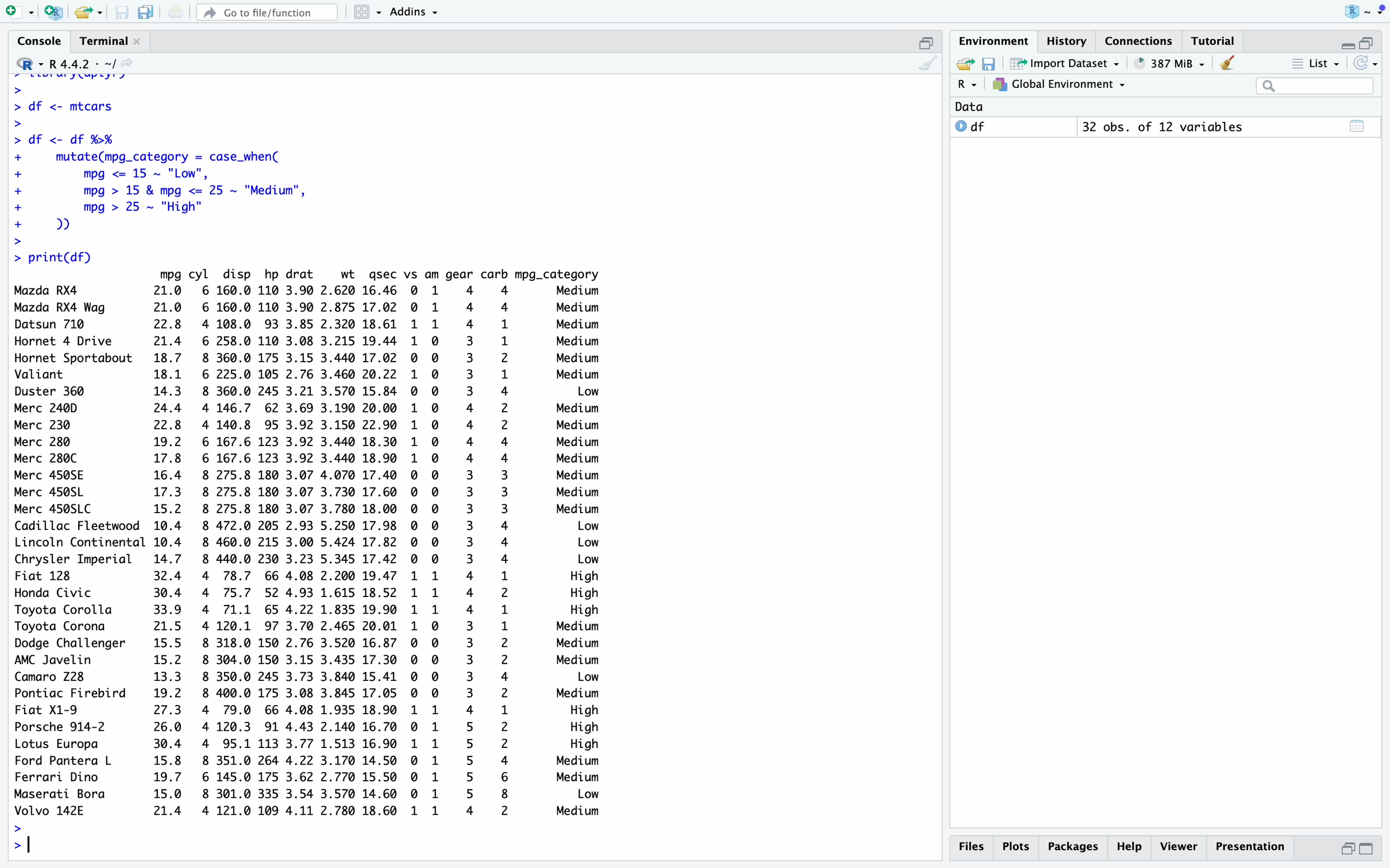 Image resolution: width=1390 pixels, height=868 pixels. Describe the element at coordinates (971, 126) in the screenshot. I see `df` at that location.